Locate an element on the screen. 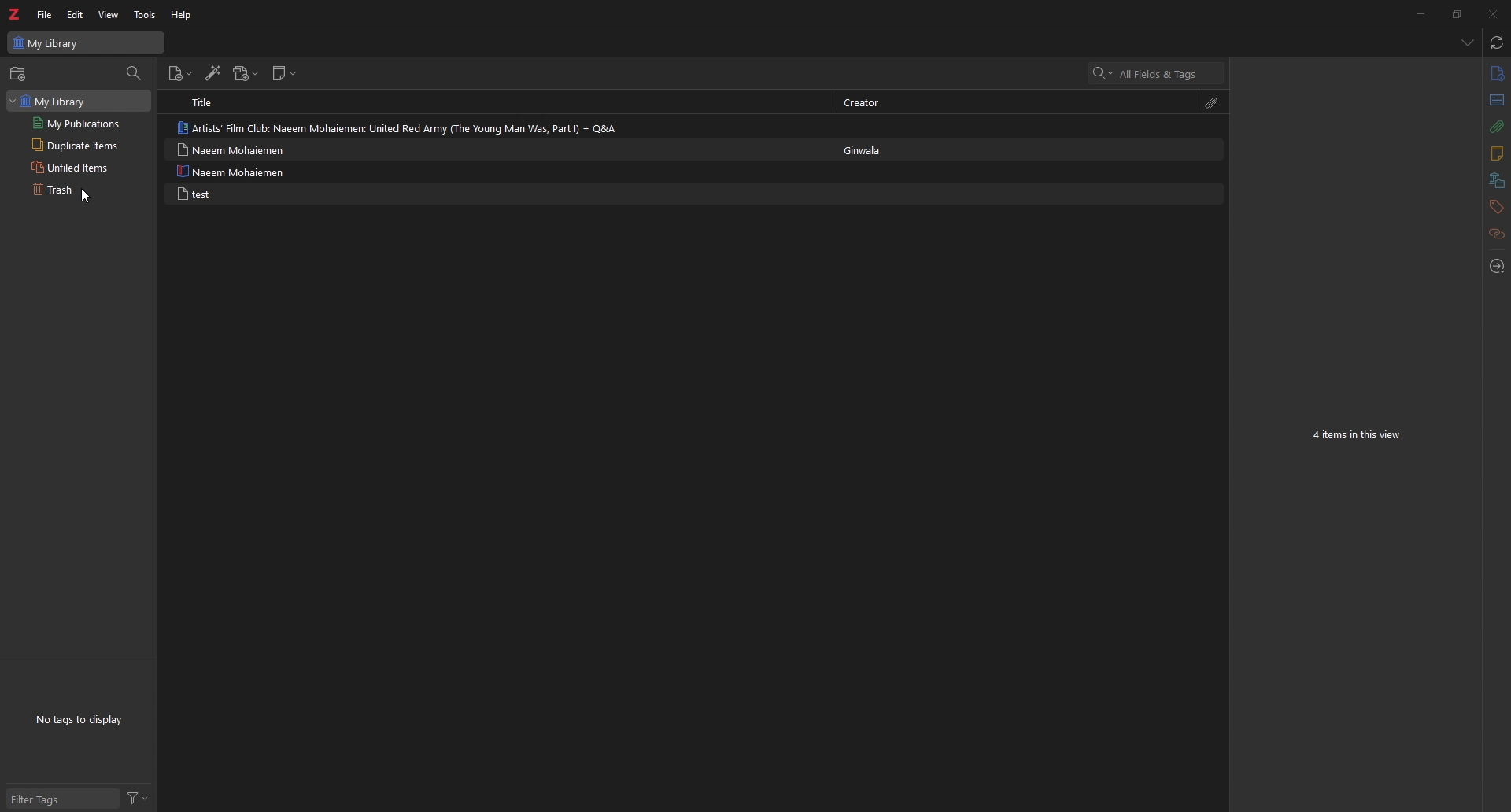  related is located at coordinates (1496, 235).